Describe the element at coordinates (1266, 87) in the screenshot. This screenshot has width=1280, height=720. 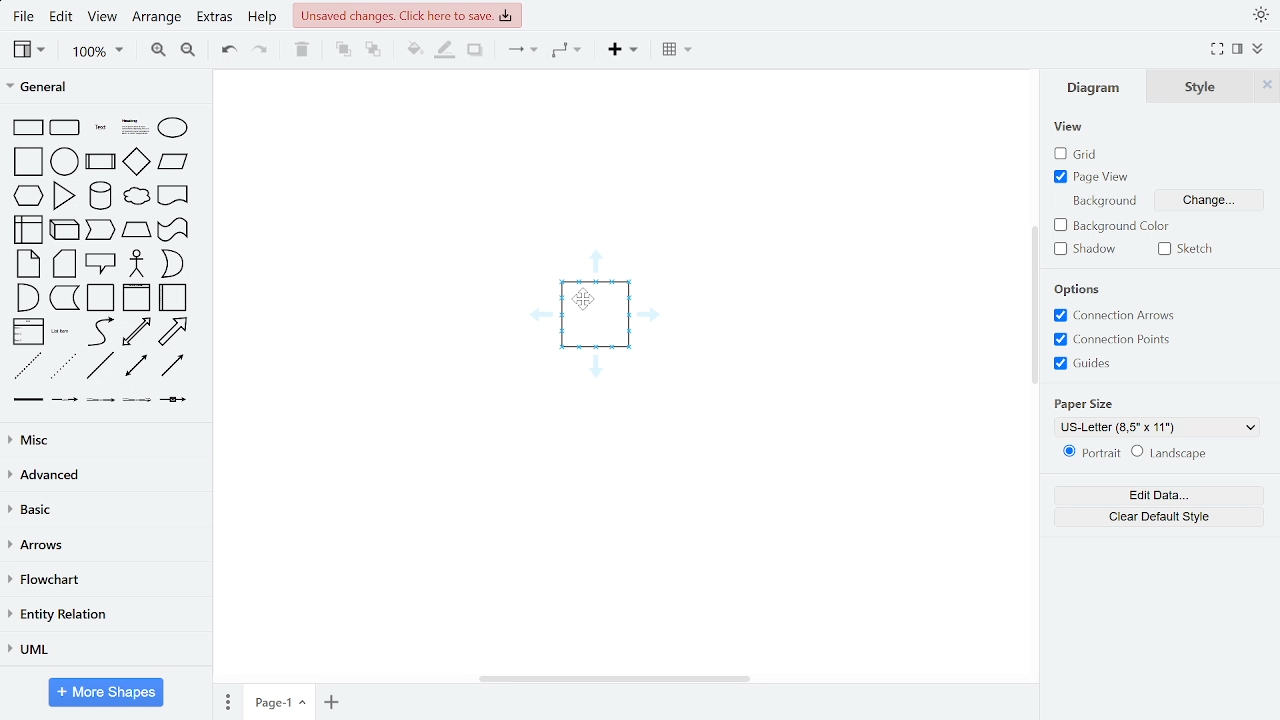
I see `close` at that location.